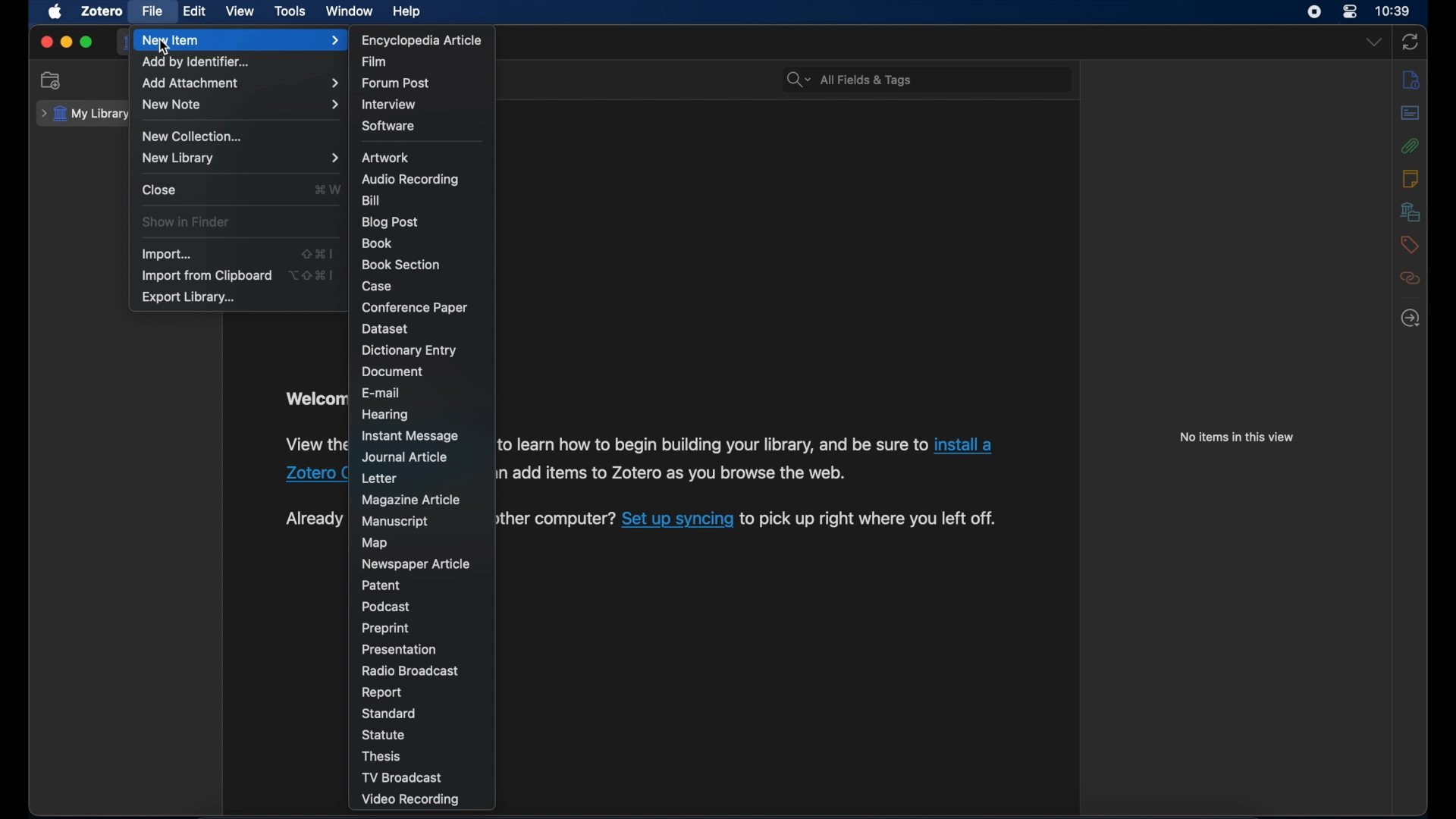 The width and height of the screenshot is (1456, 819). Describe the element at coordinates (390, 105) in the screenshot. I see `interview` at that location.